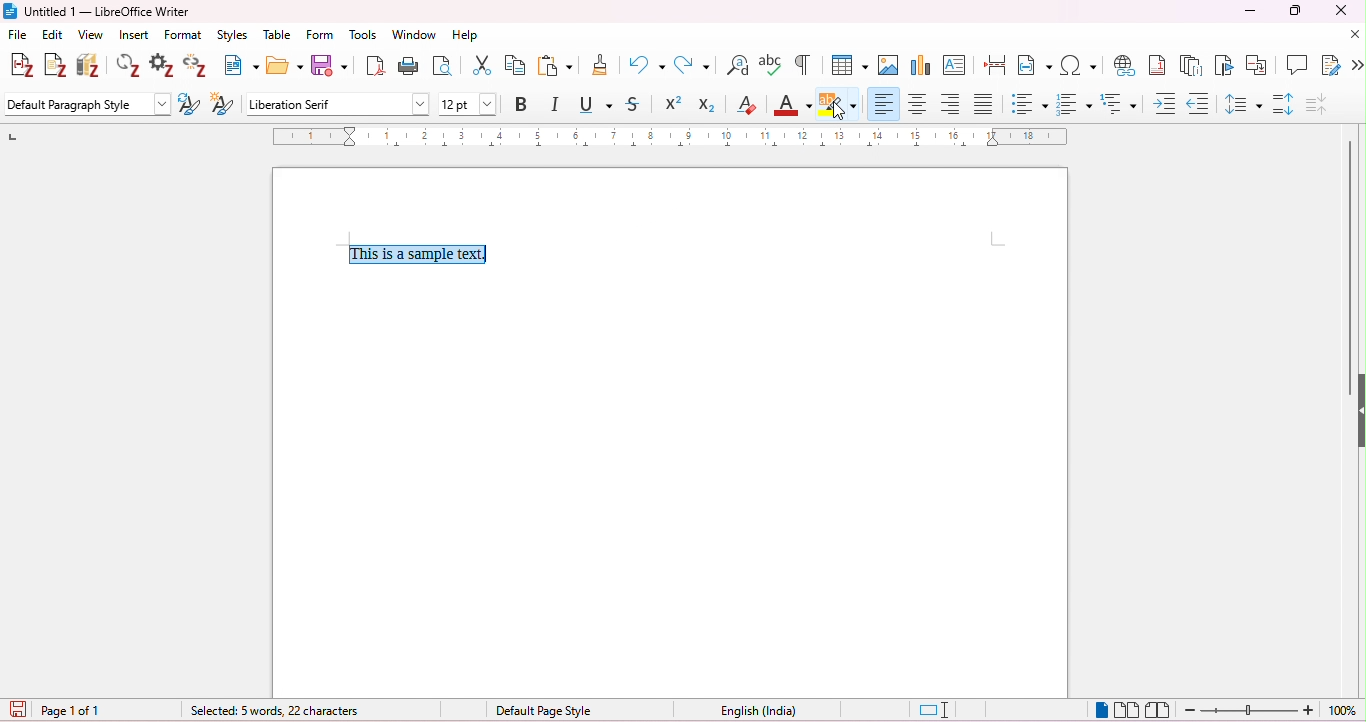 Image resolution: width=1366 pixels, height=722 pixels. I want to click on paste, so click(556, 64).